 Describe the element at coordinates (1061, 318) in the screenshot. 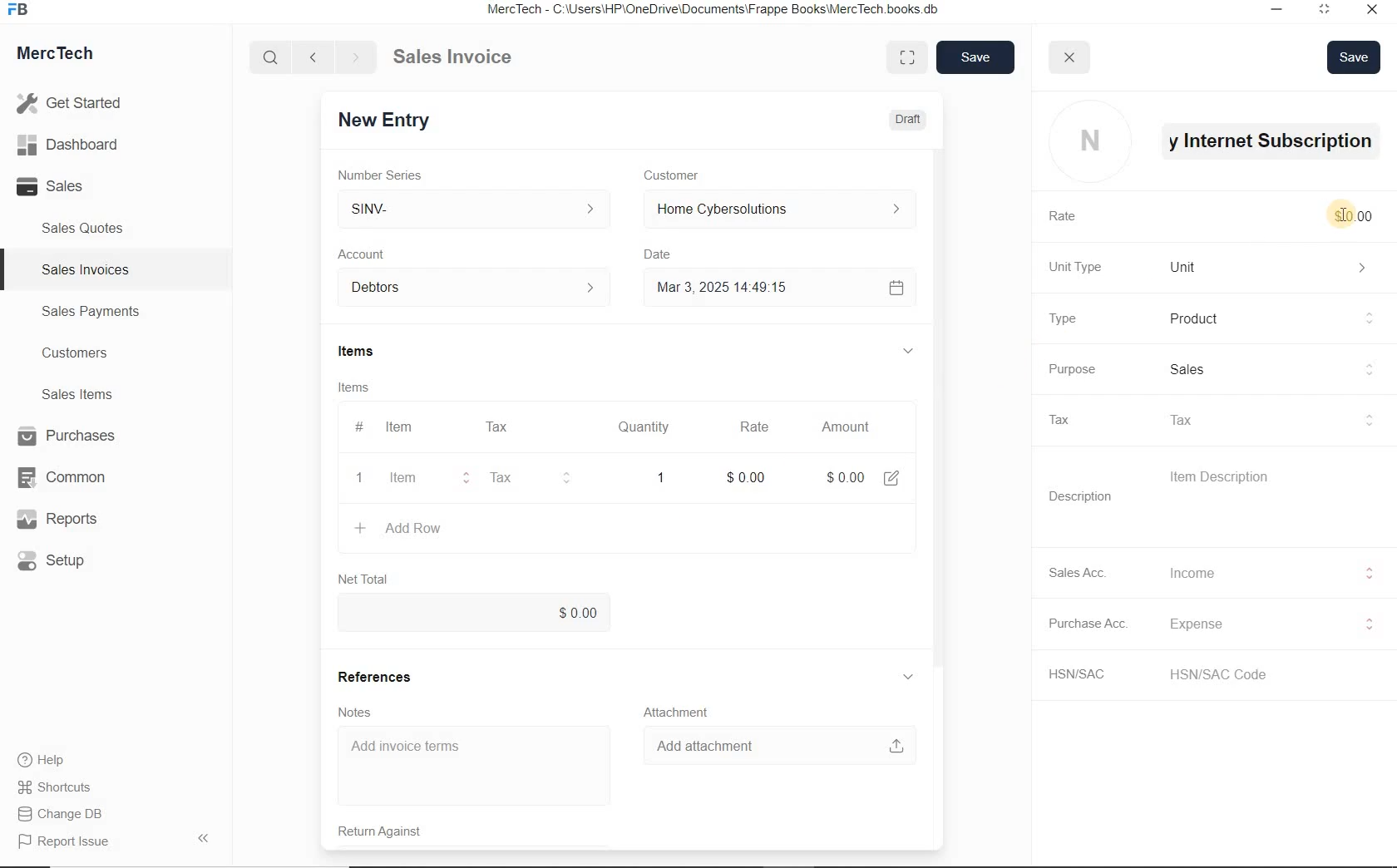

I see `Type` at that location.